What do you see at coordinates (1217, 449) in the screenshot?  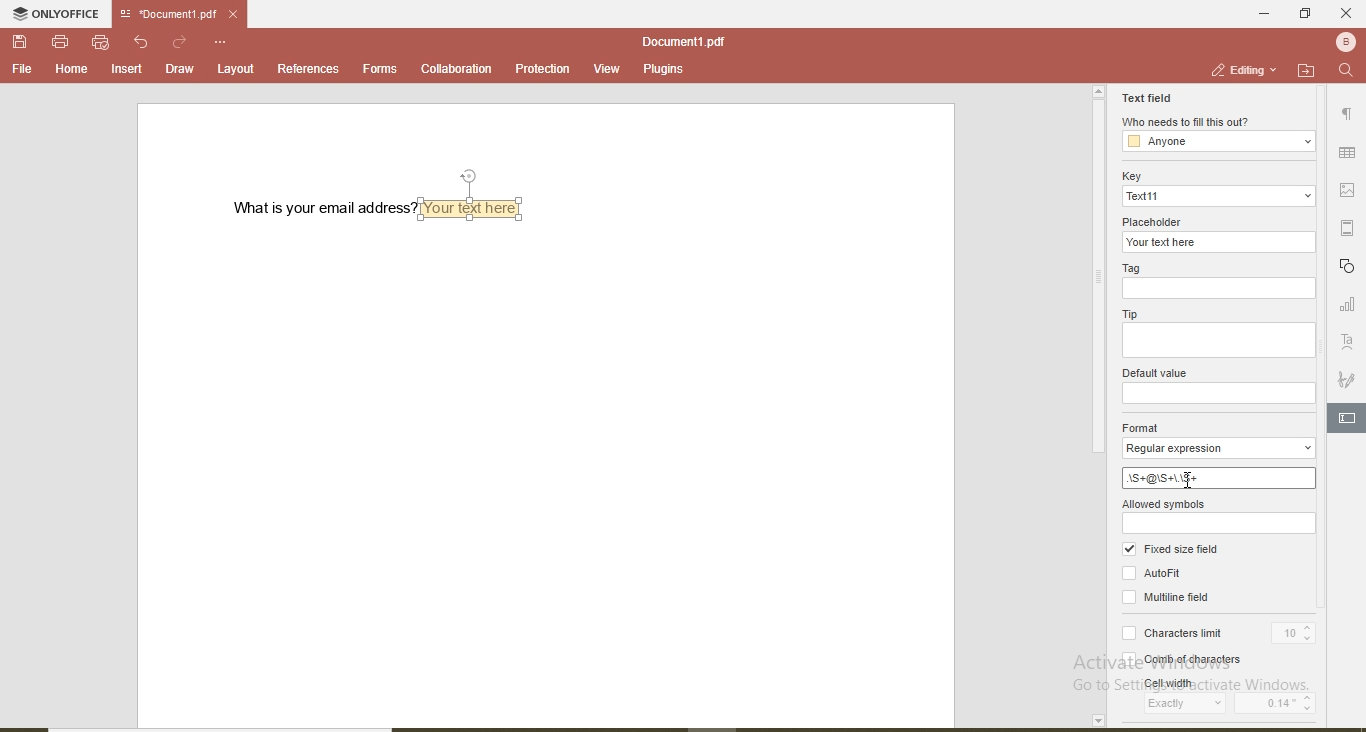 I see `regular expression` at bounding box center [1217, 449].